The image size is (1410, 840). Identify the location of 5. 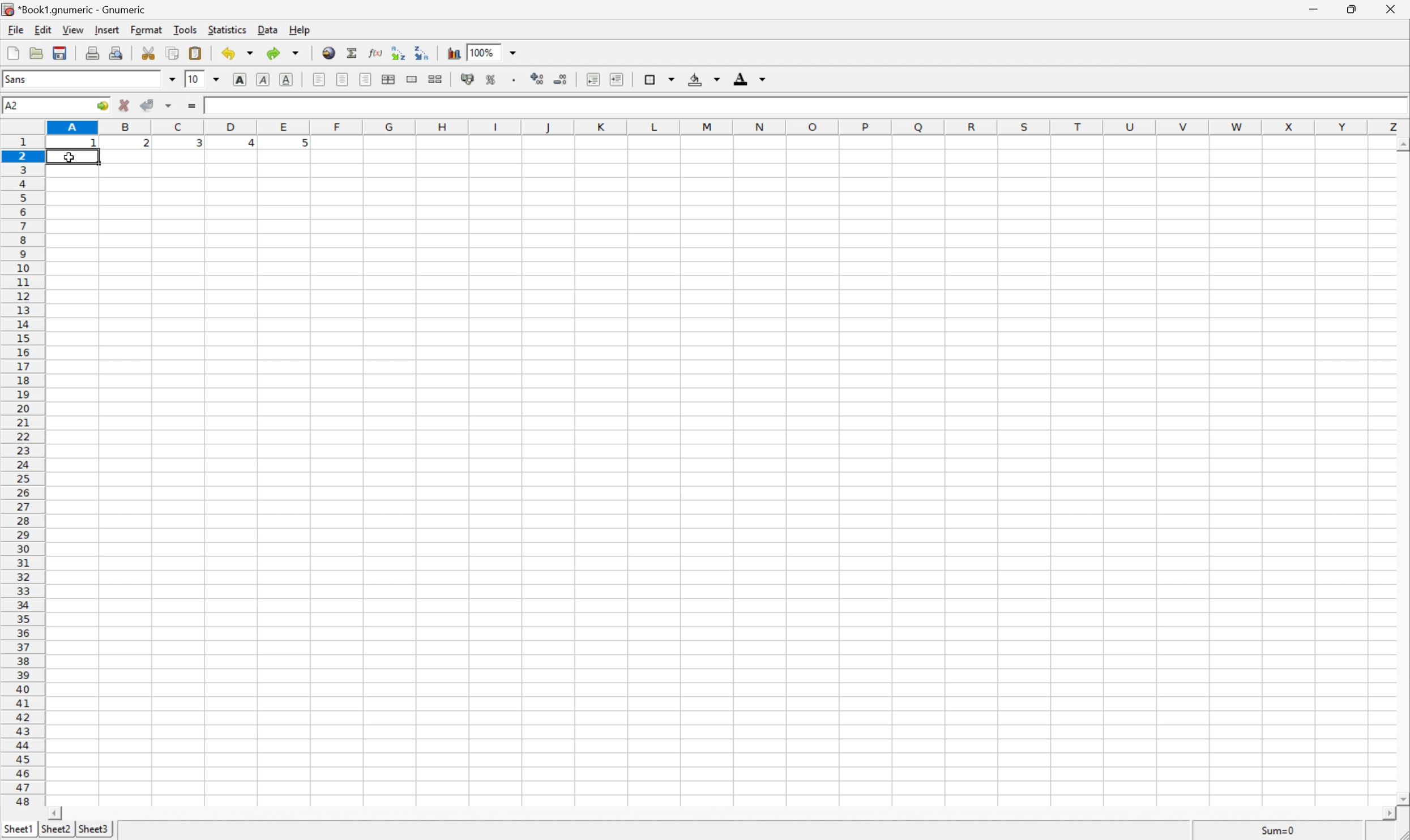
(302, 145).